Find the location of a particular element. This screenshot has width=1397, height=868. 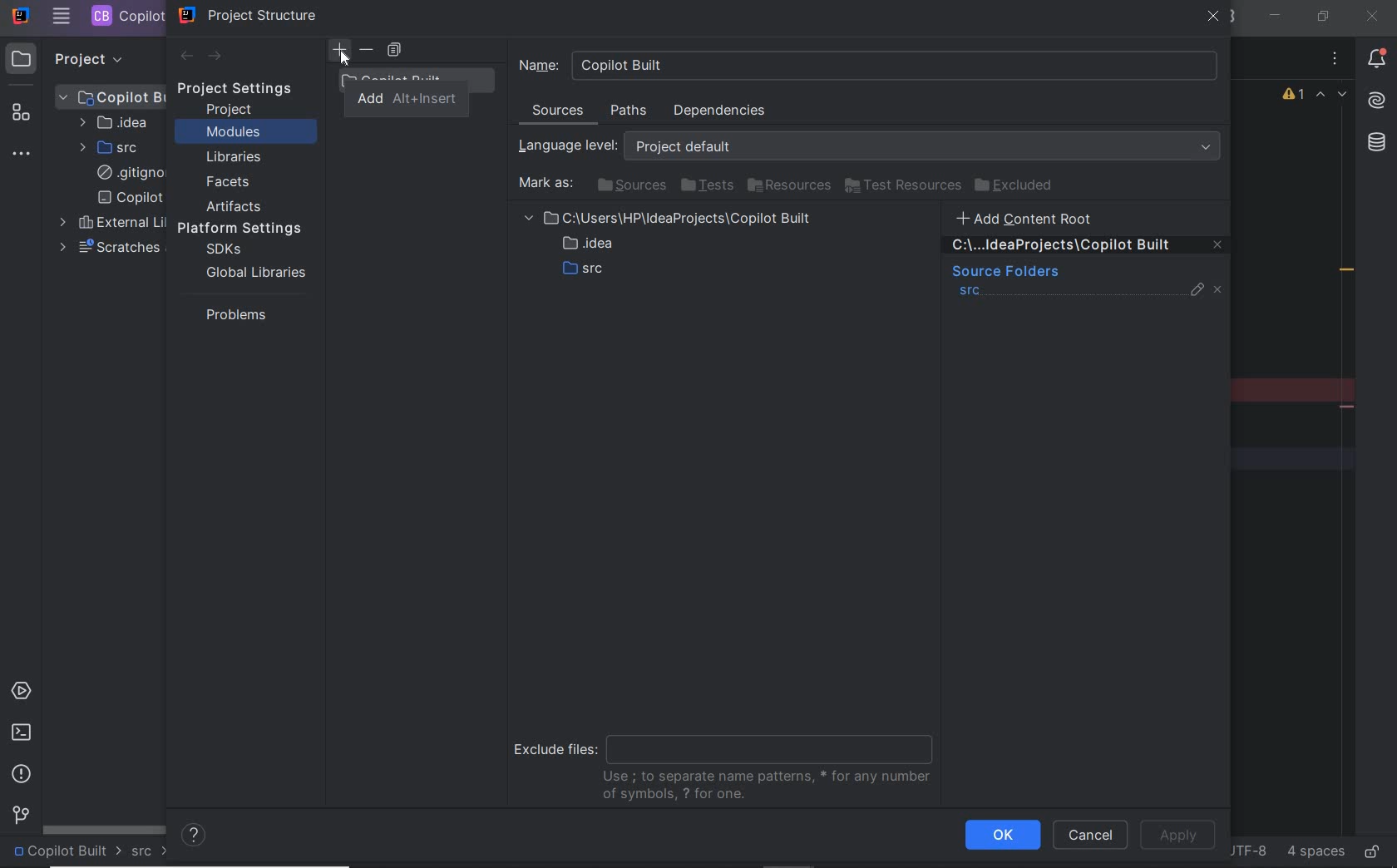

version control is located at coordinates (18, 816).